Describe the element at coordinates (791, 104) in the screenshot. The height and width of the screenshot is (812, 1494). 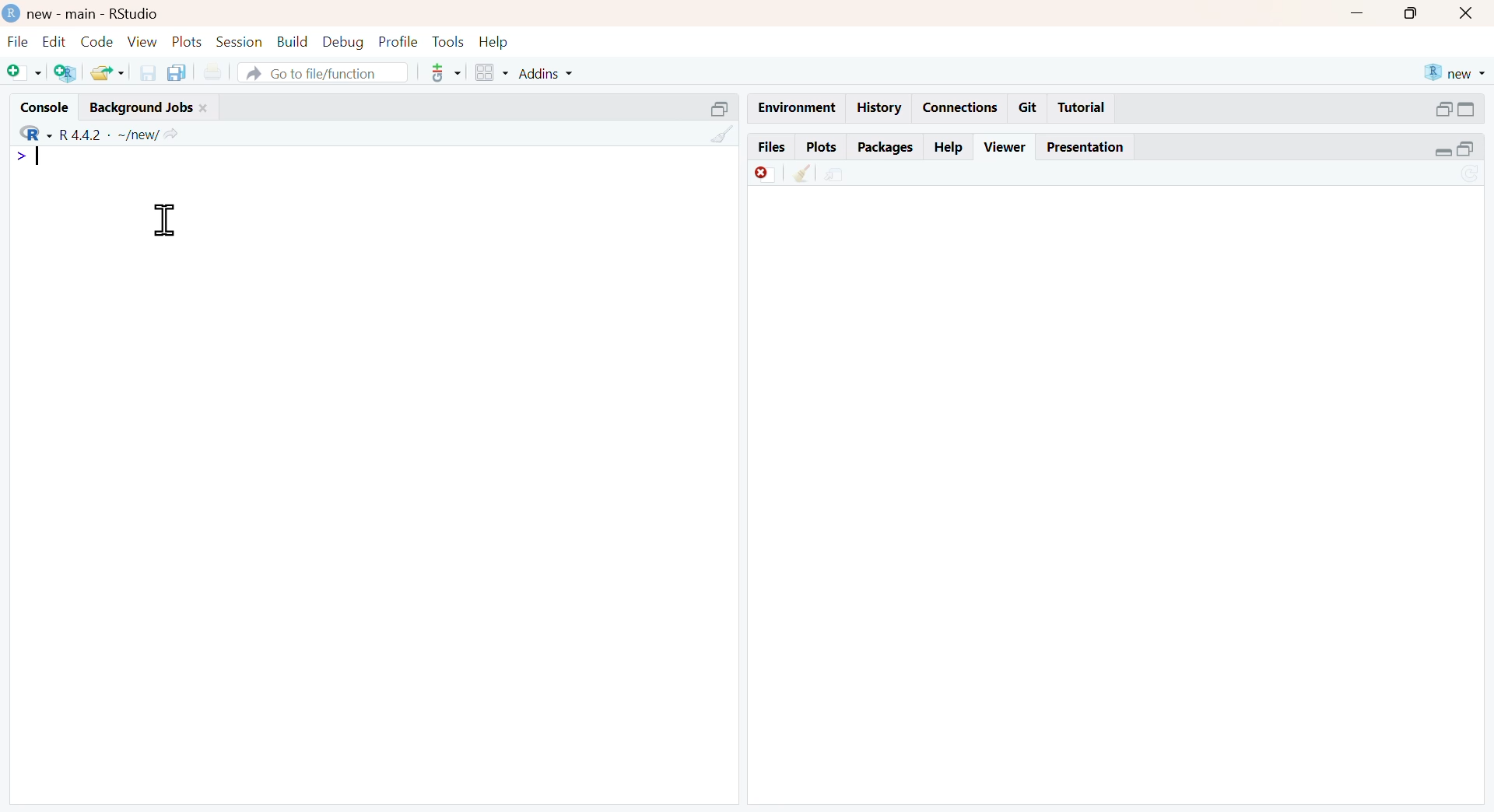
I see `Environment` at that location.